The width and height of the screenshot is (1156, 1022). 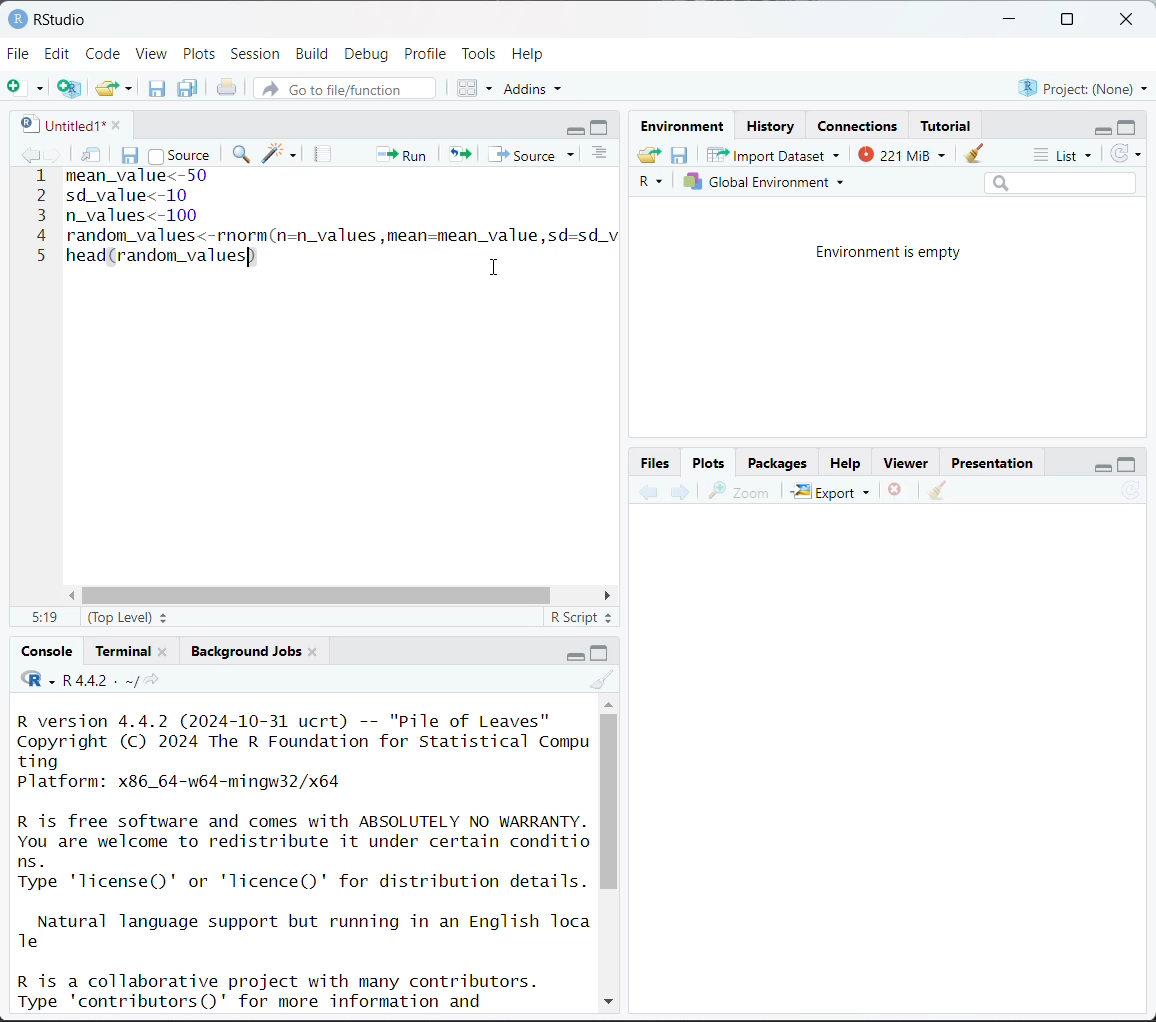 What do you see at coordinates (608, 702) in the screenshot?
I see `up` at bounding box center [608, 702].